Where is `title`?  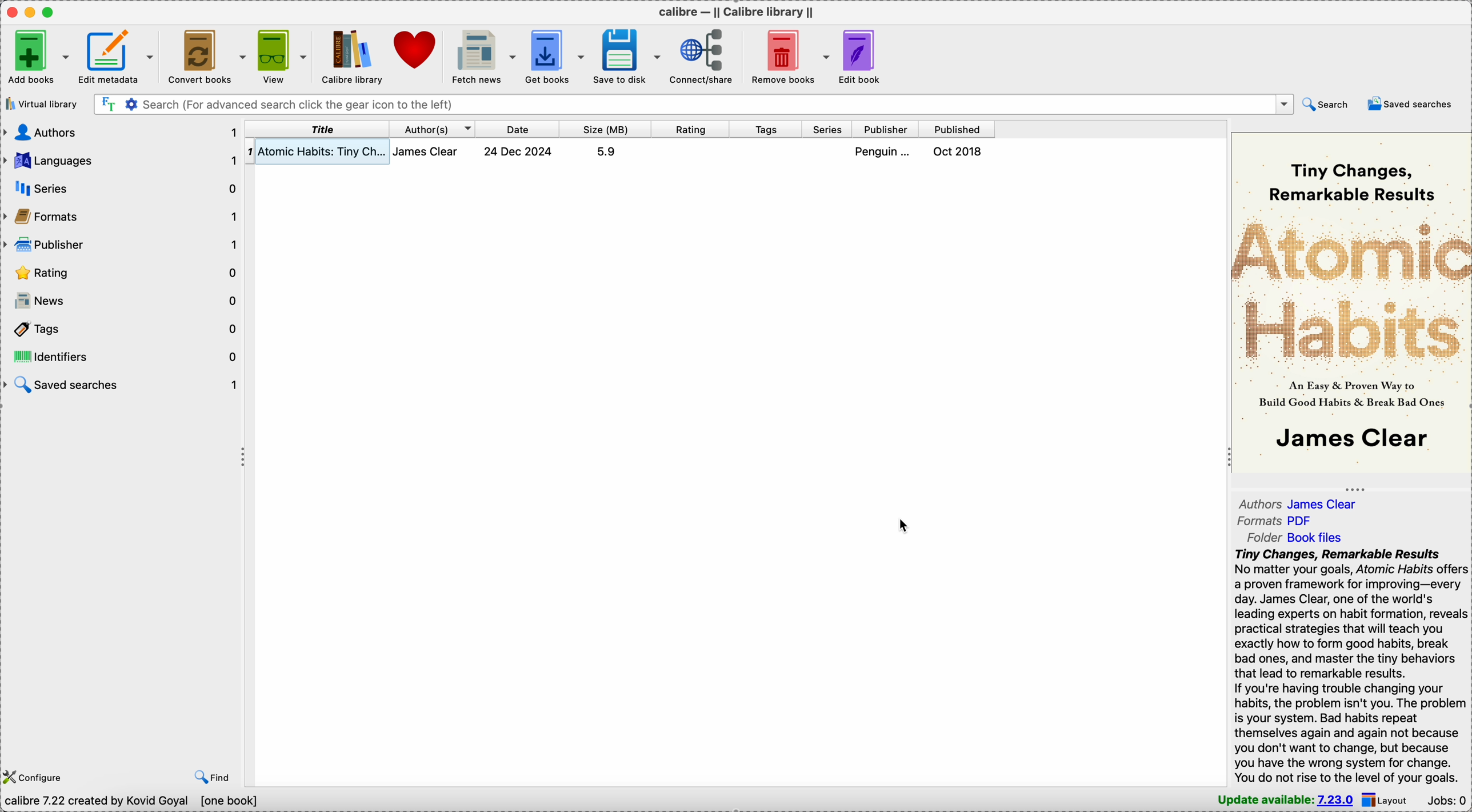 title is located at coordinates (318, 129).